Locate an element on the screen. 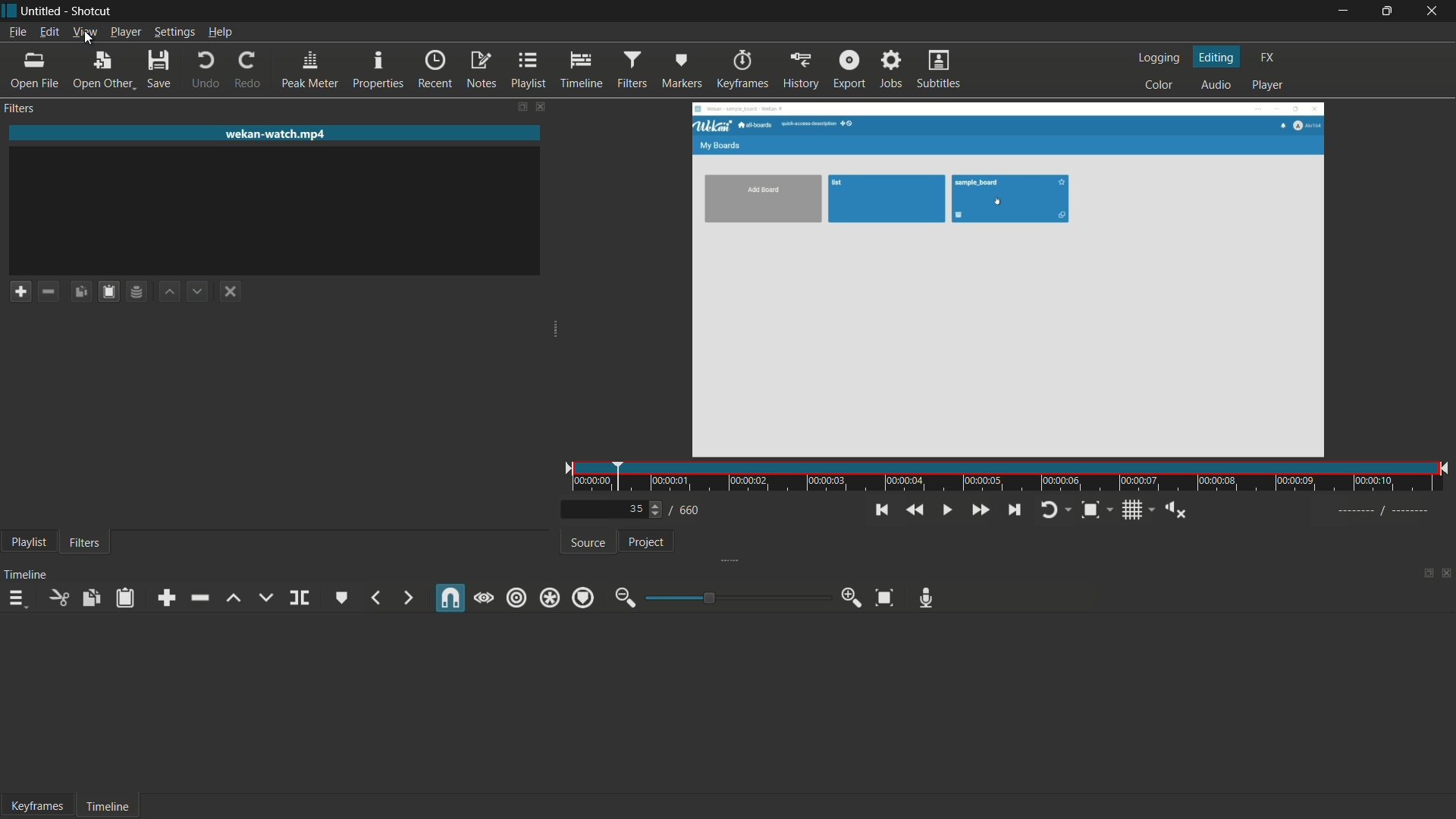  peak meter is located at coordinates (311, 71).